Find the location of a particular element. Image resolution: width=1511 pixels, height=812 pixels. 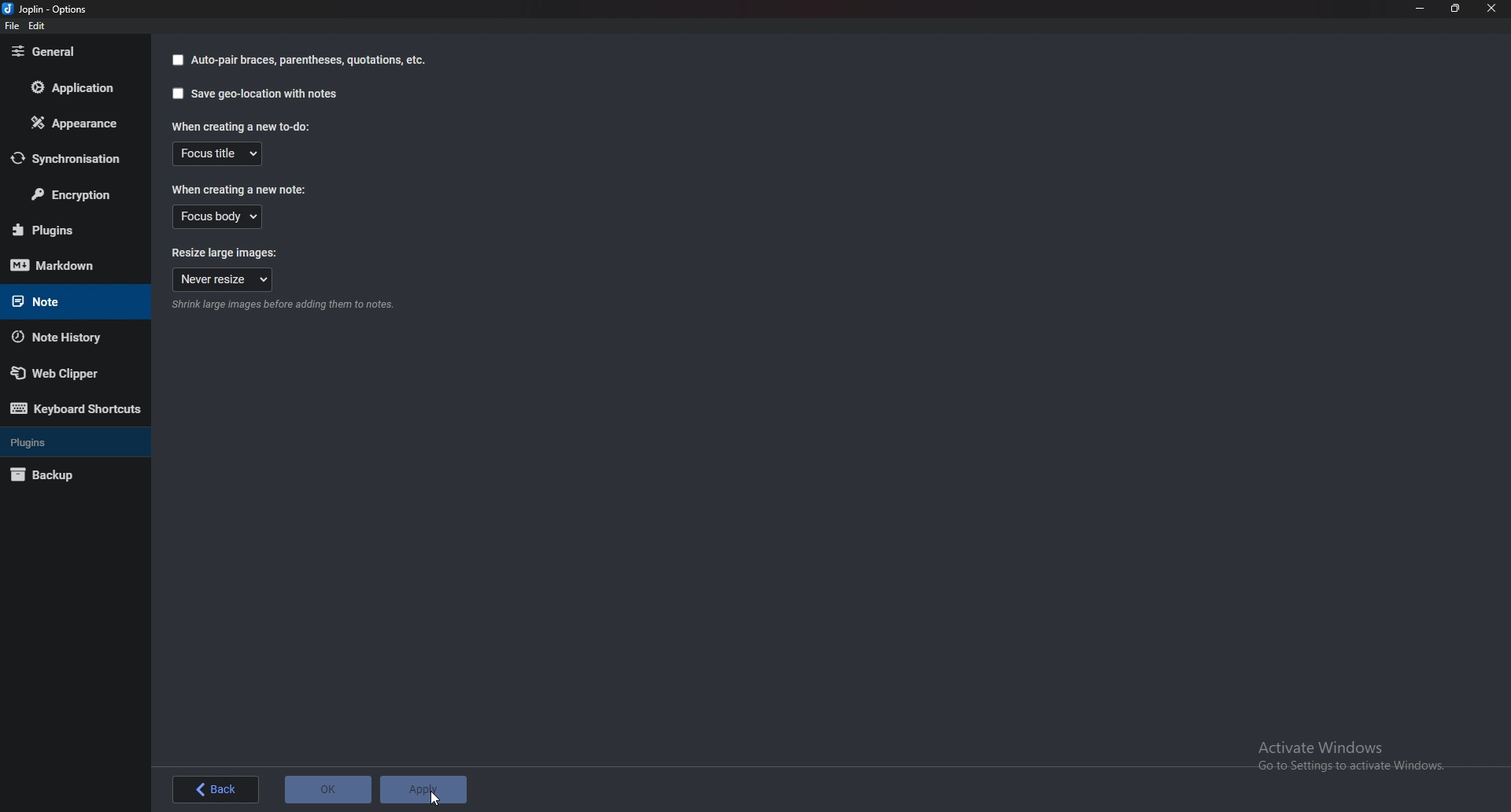

Plugins is located at coordinates (73, 441).